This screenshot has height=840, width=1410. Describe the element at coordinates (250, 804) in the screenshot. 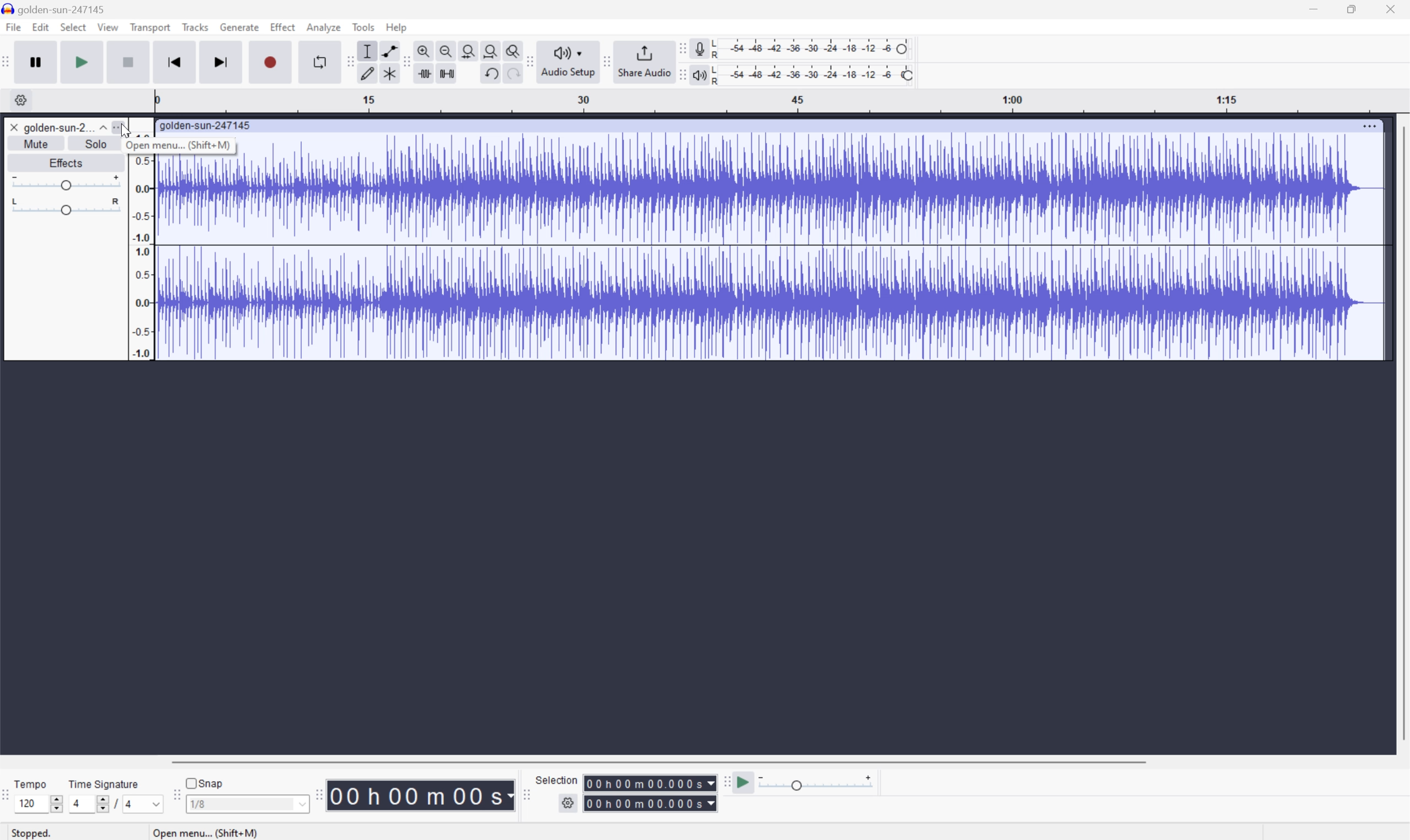

I see `1/8` at that location.